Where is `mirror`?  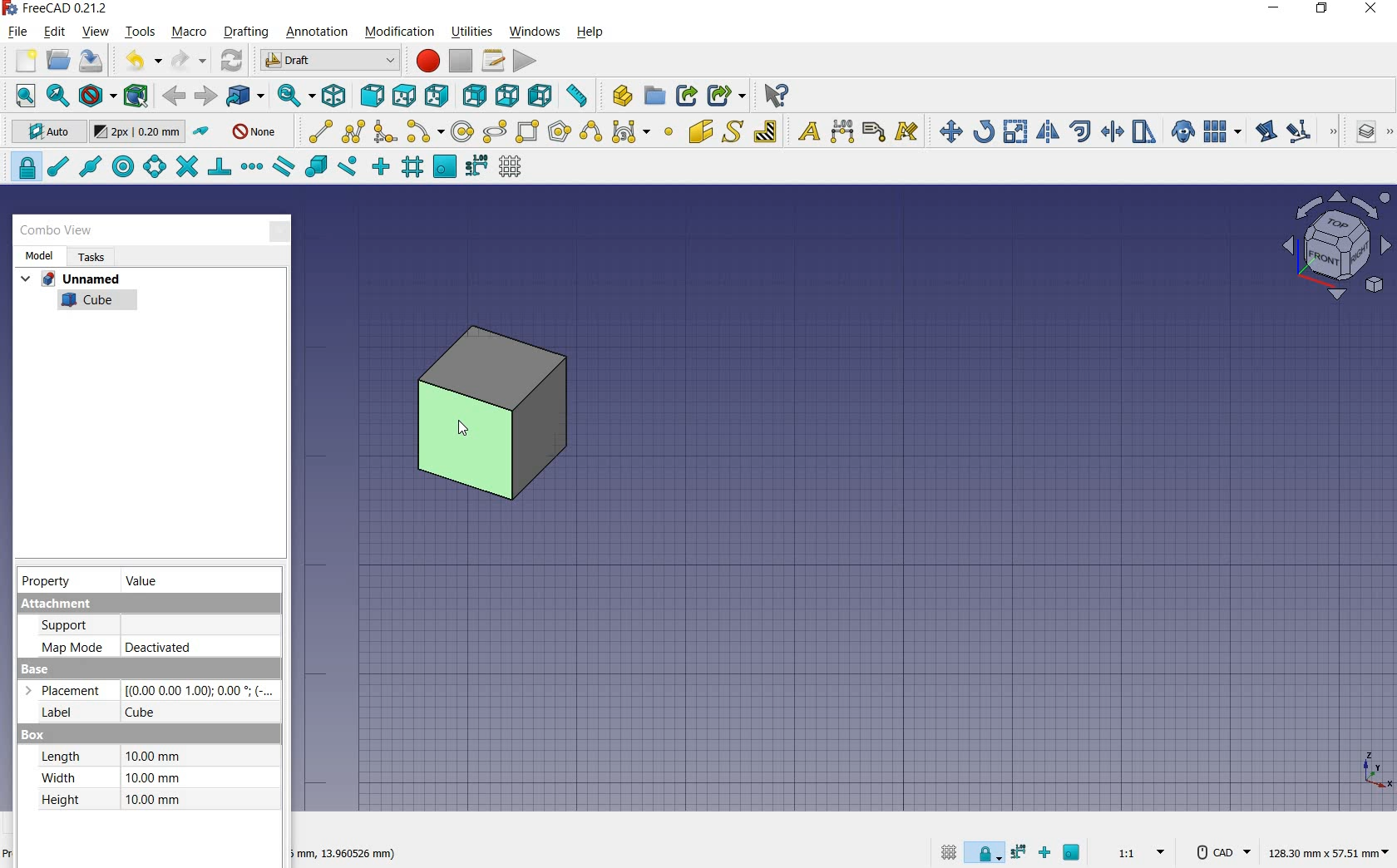 mirror is located at coordinates (1049, 131).